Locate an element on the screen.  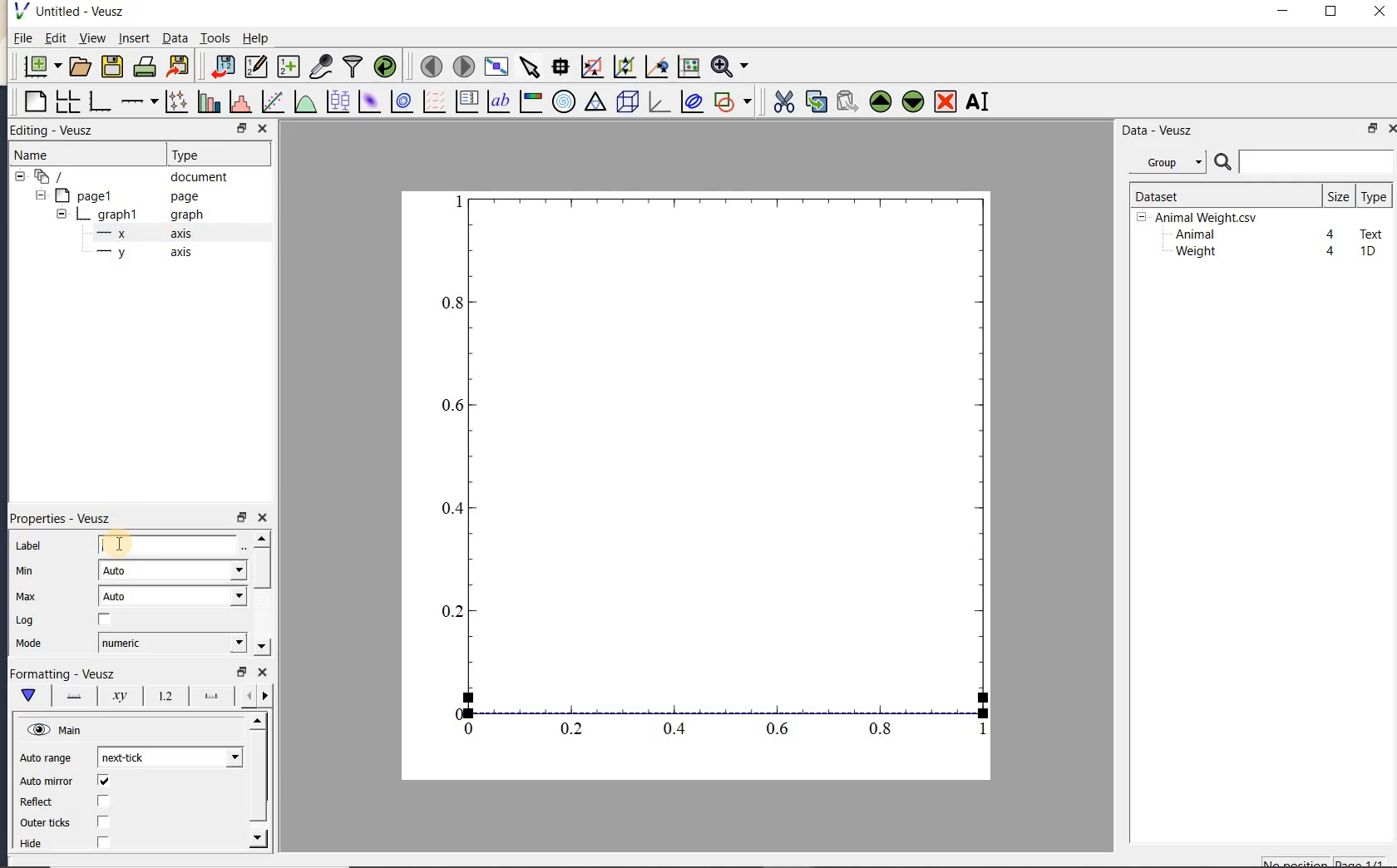
close is located at coordinates (263, 673).